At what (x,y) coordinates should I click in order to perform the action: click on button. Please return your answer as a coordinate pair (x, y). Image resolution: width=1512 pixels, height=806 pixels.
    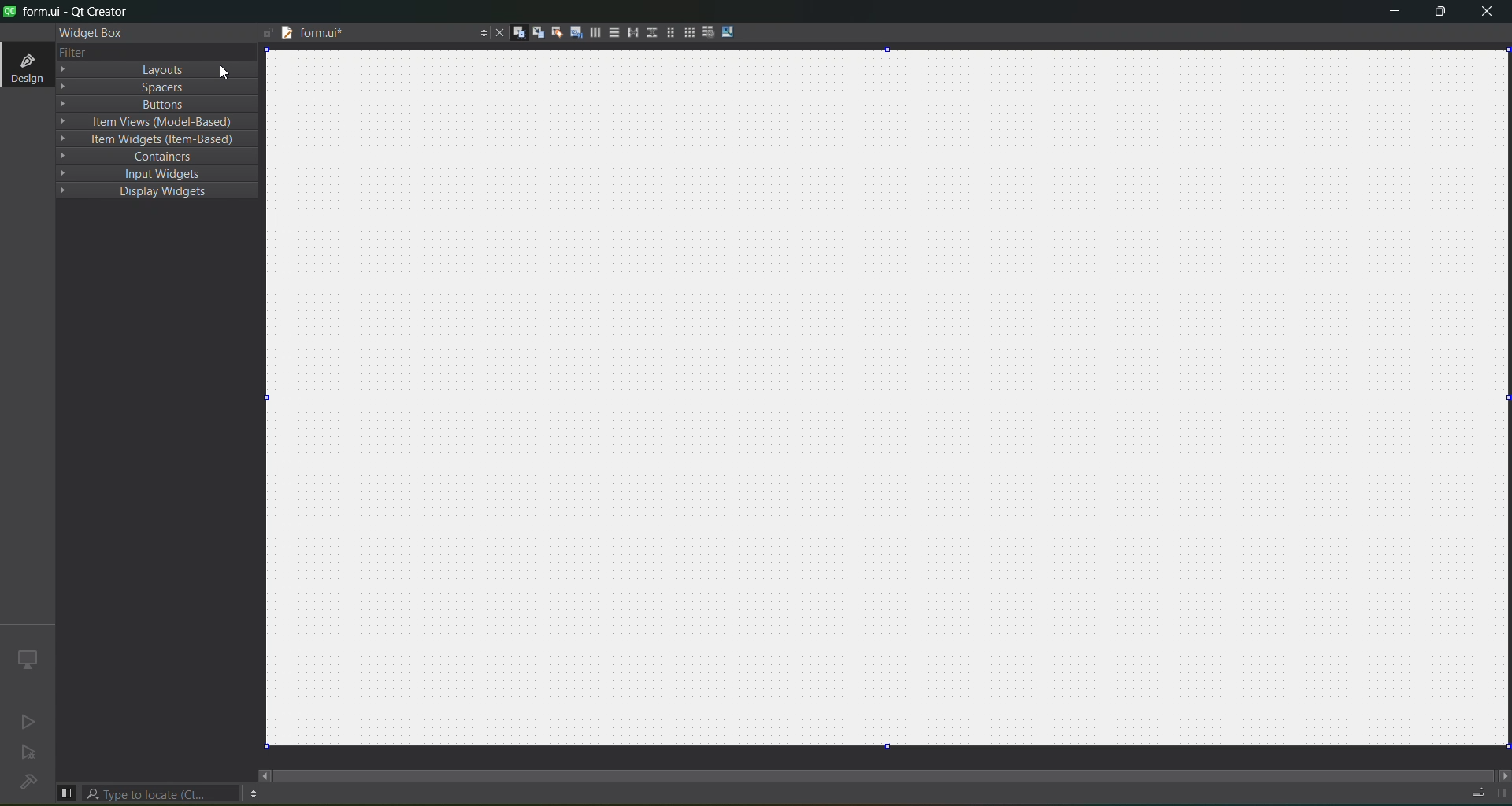
    Looking at the image, I should click on (161, 104).